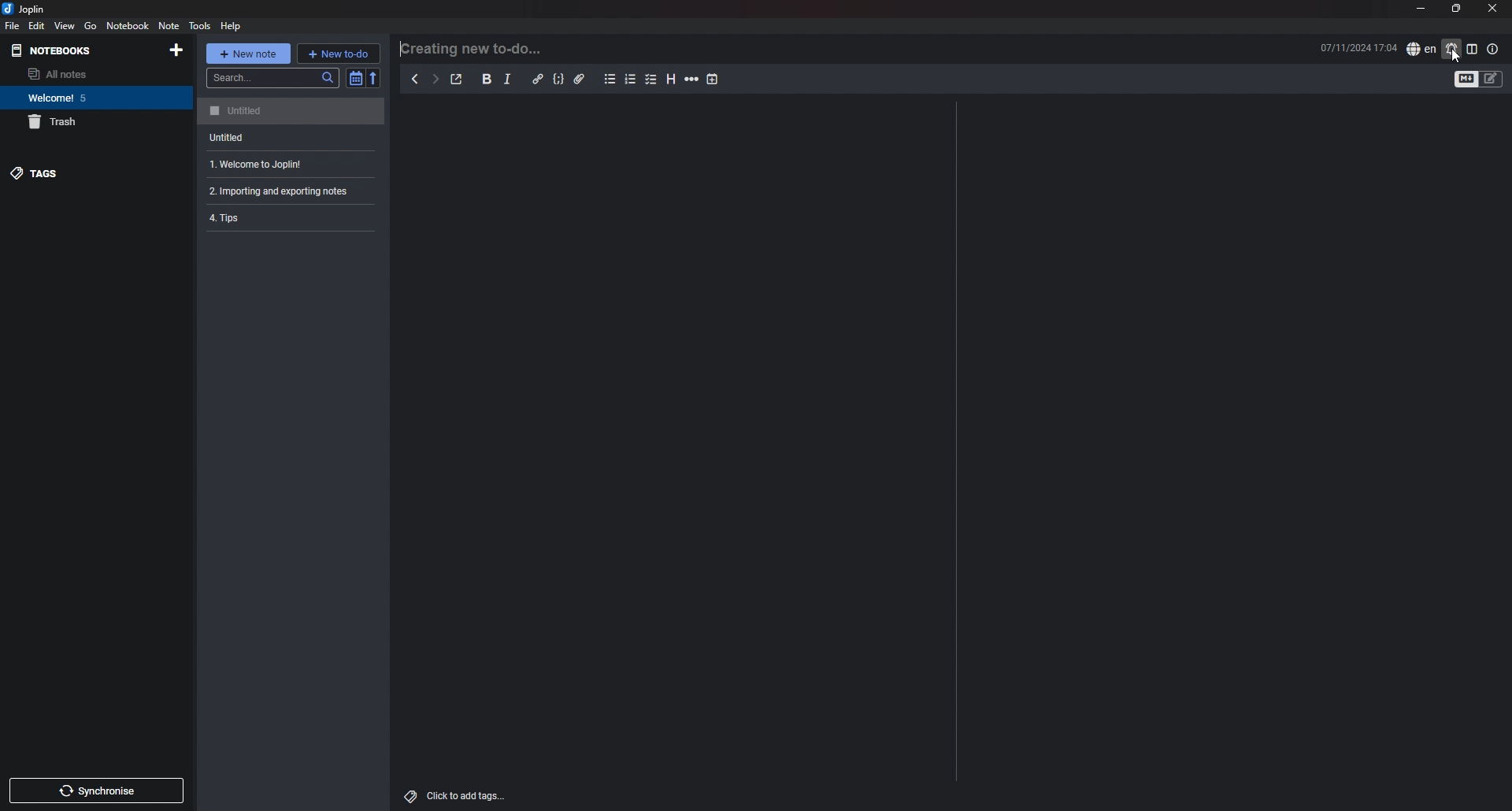 Image resolution: width=1512 pixels, height=811 pixels. What do you see at coordinates (1457, 9) in the screenshot?
I see `resize` at bounding box center [1457, 9].